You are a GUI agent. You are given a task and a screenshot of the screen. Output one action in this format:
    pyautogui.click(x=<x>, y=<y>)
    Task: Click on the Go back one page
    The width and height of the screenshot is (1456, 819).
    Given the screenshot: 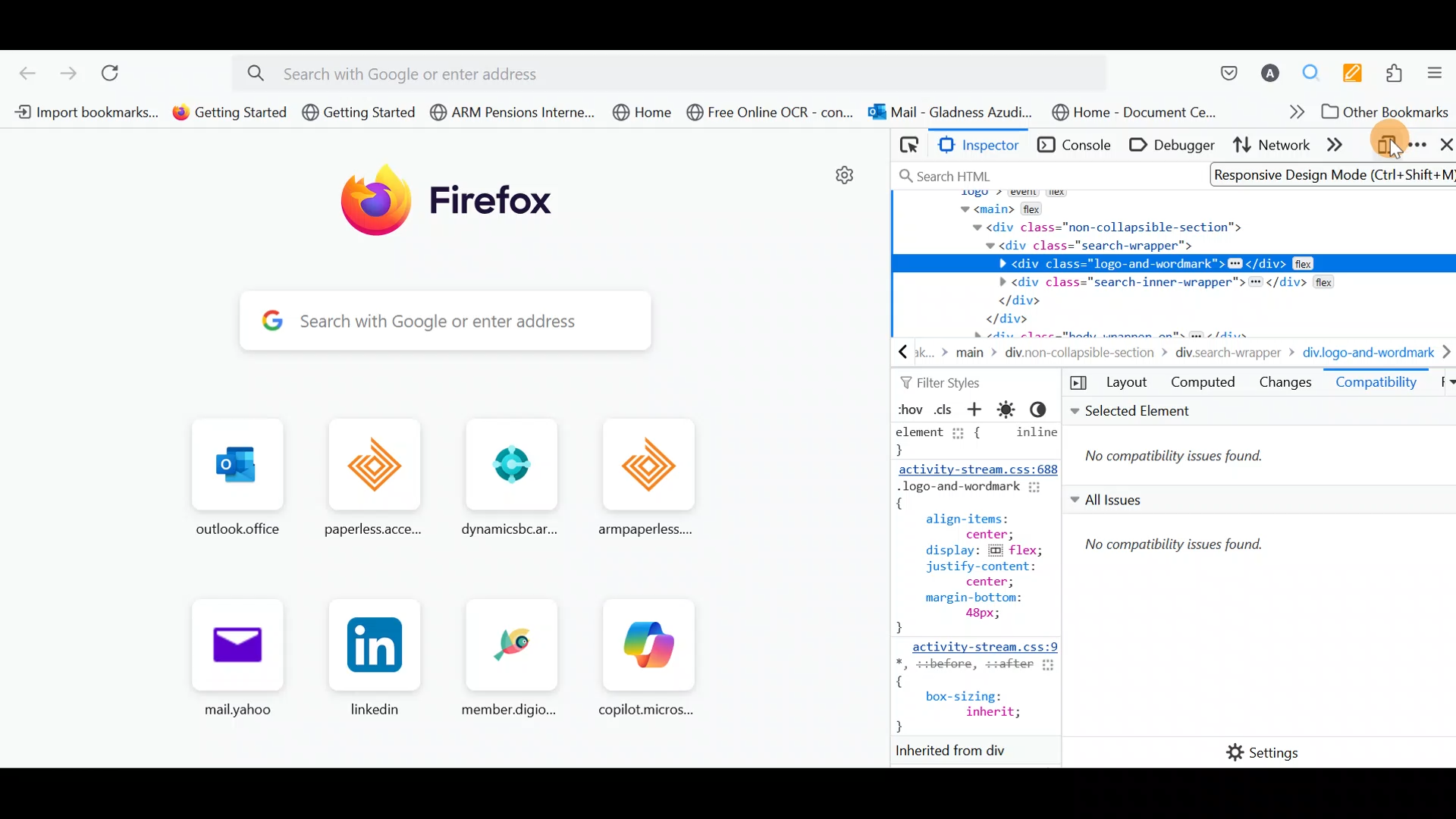 What is the action you would take?
    pyautogui.click(x=21, y=70)
    